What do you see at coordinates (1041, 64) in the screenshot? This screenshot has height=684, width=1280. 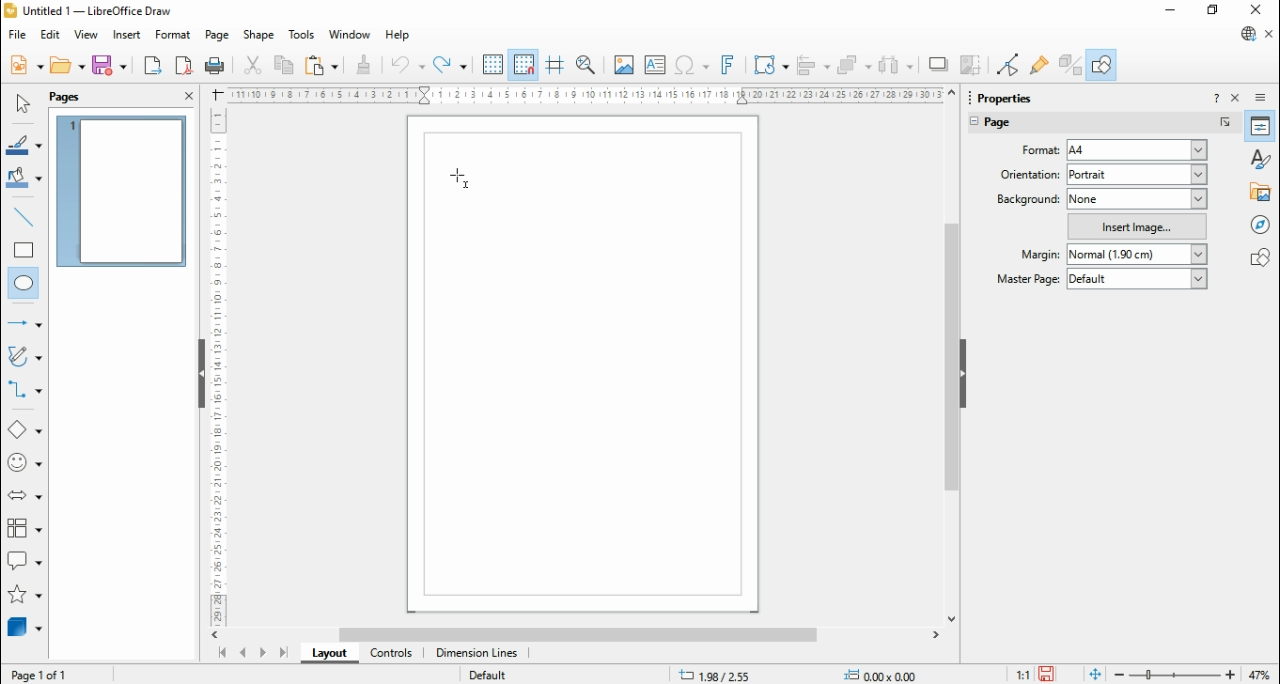 I see `show glue point functions` at bounding box center [1041, 64].